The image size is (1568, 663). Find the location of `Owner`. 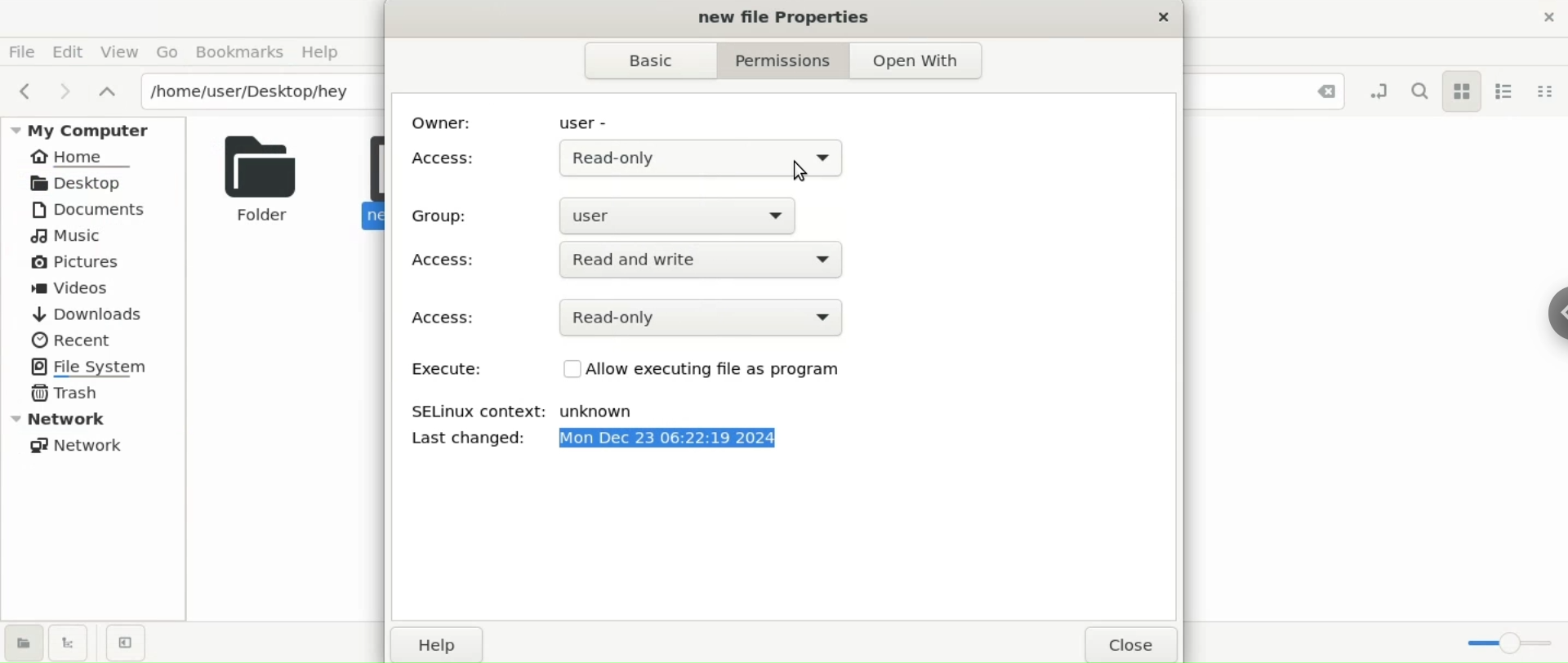

Owner is located at coordinates (447, 122).